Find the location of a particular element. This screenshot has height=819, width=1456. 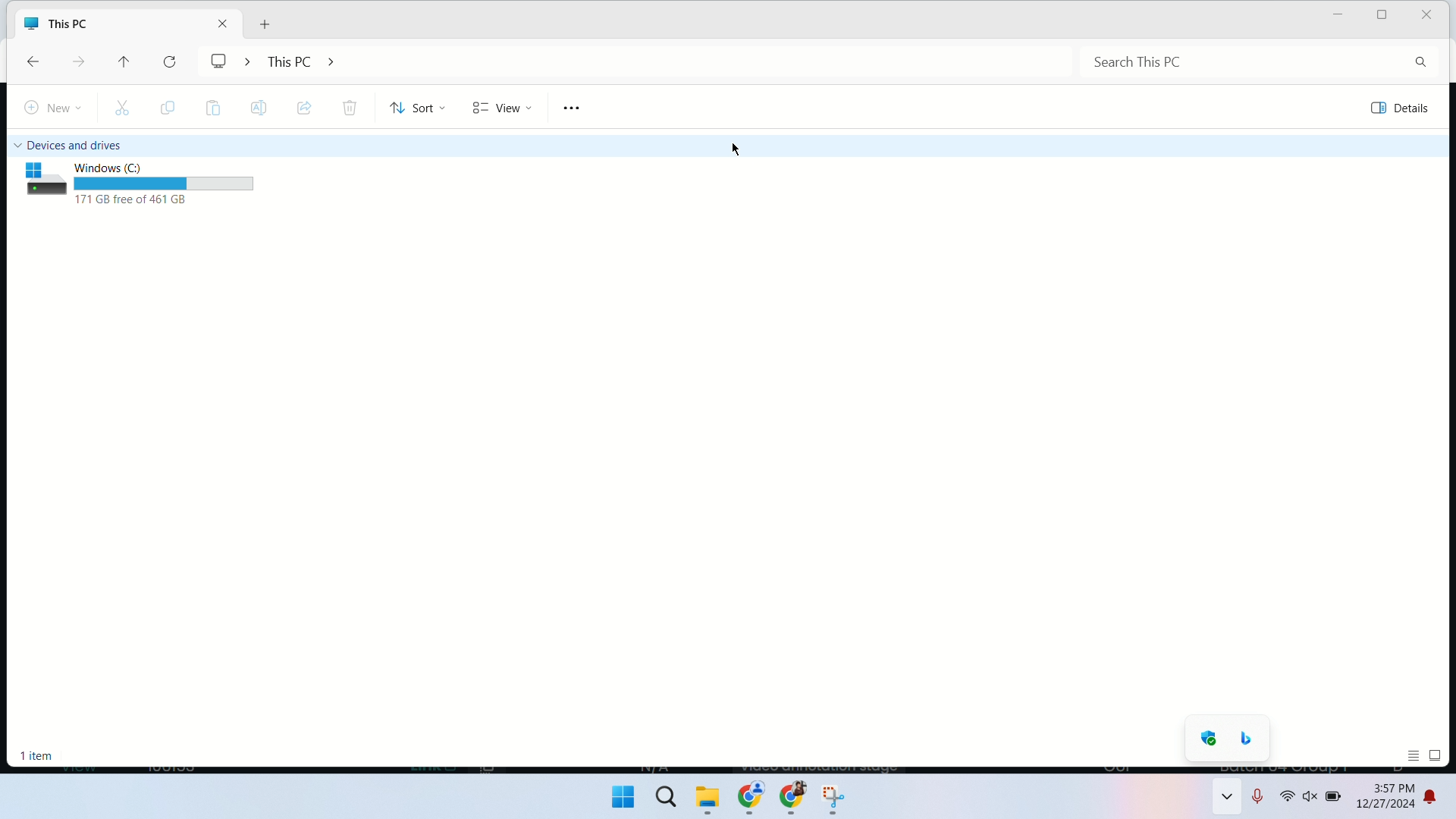

windows defender is located at coordinates (1213, 739).